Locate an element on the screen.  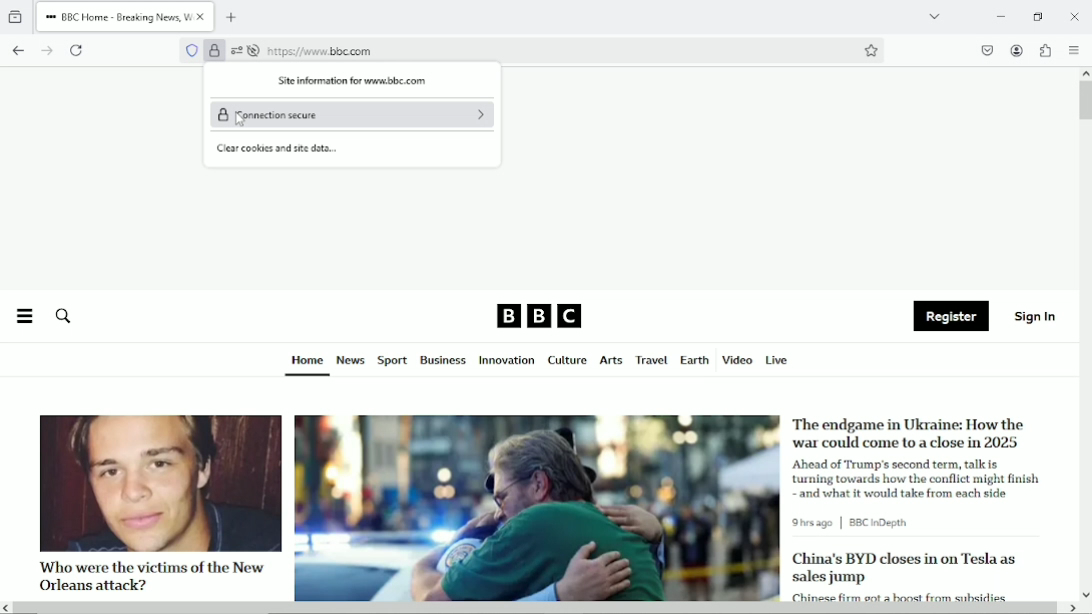
scroll up is located at coordinates (1085, 73).